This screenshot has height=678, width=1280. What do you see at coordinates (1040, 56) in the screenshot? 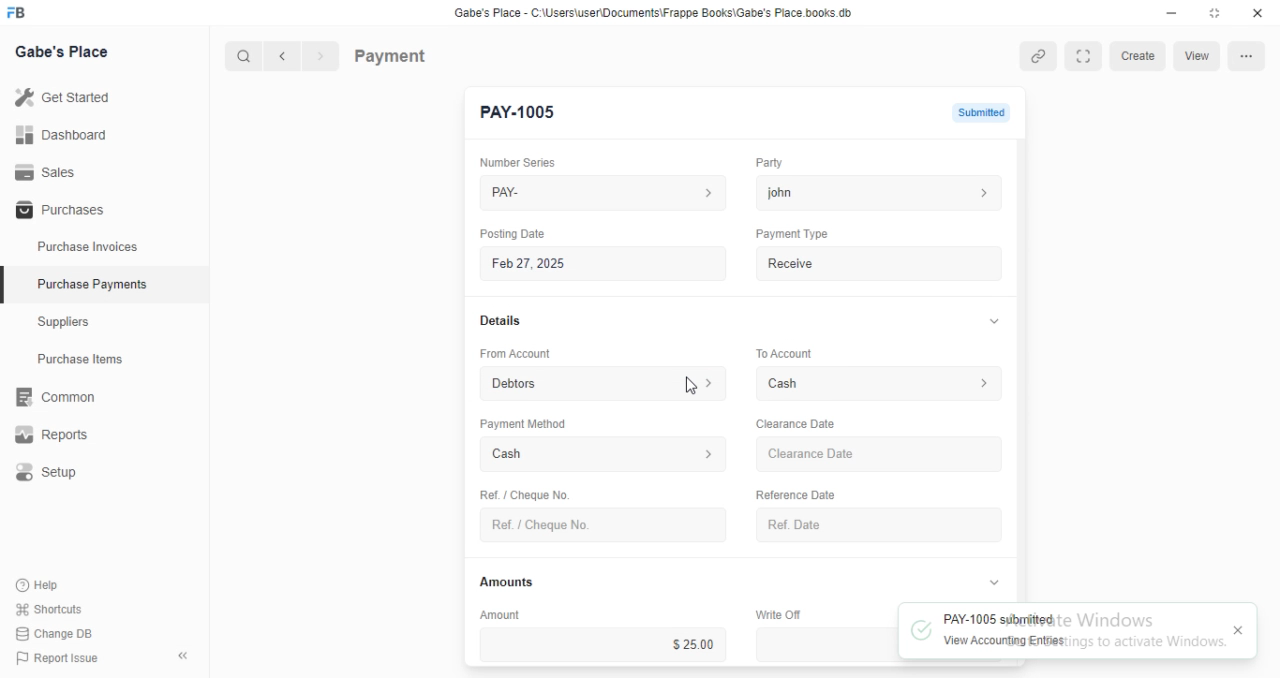
I see `link` at bounding box center [1040, 56].